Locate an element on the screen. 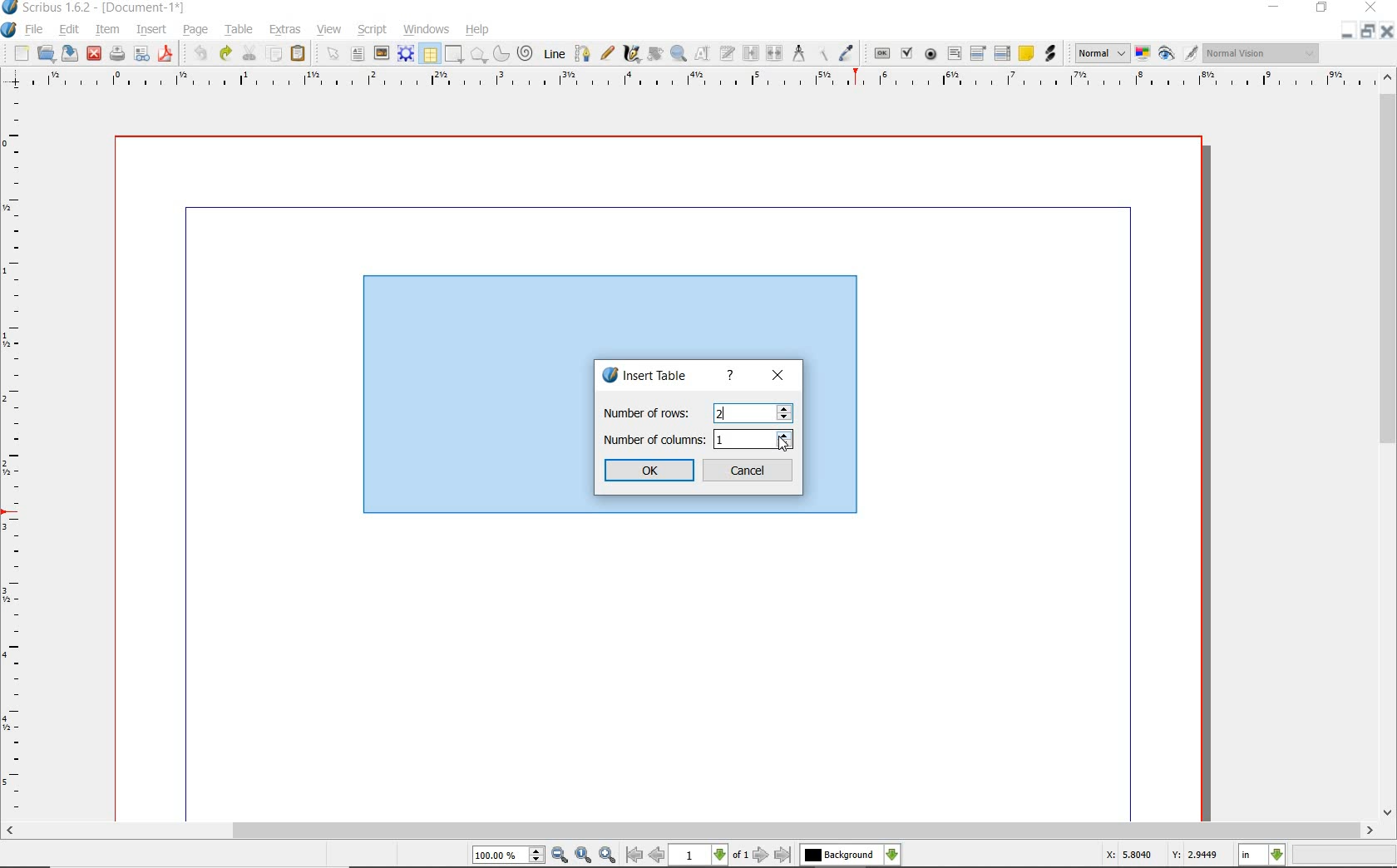 Image resolution: width=1397 pixels, height=868 pixels. minimize is located at coordinates (1345, 32).